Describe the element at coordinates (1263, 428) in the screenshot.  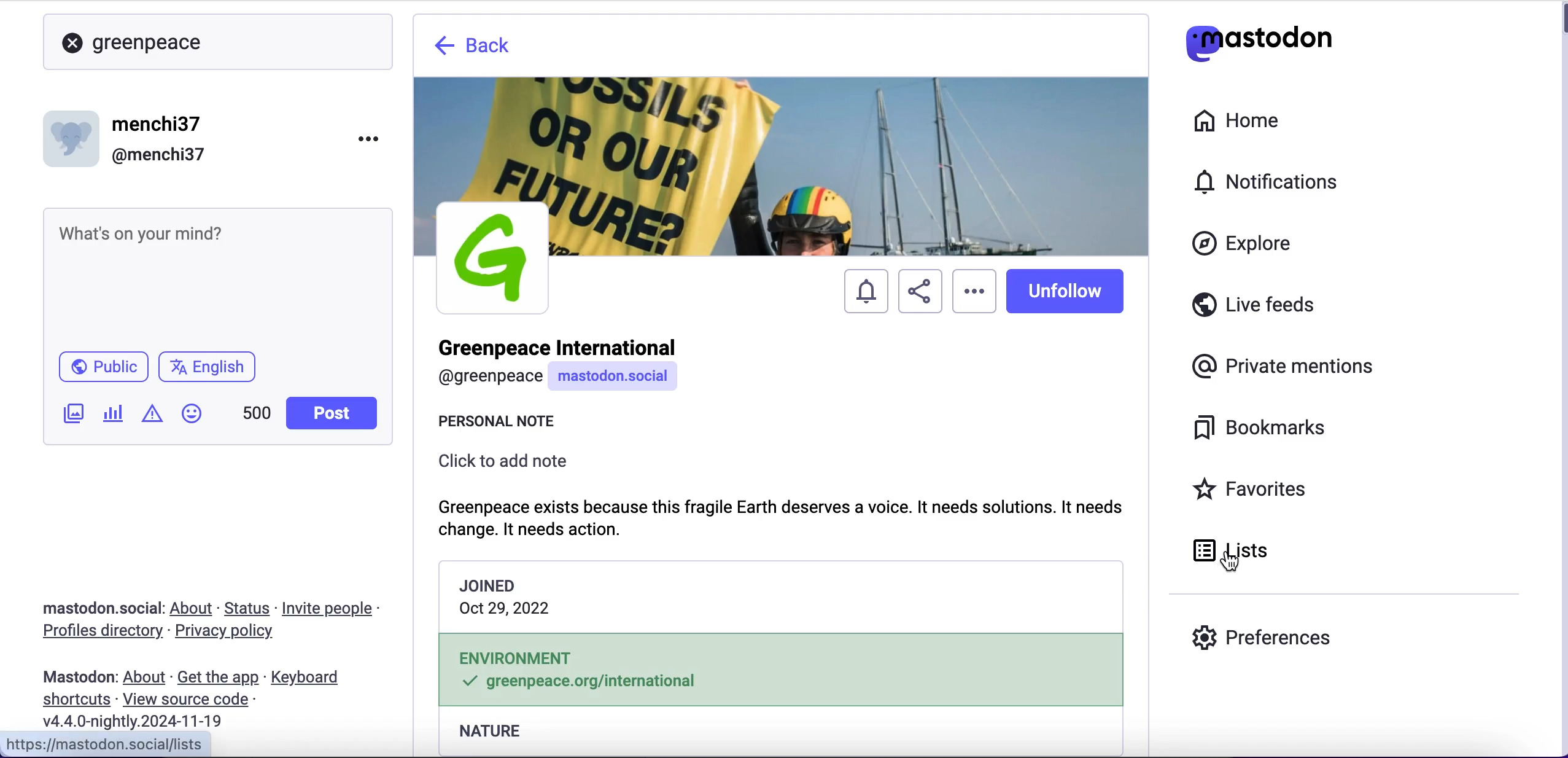
I see `bookmarks` at that location.